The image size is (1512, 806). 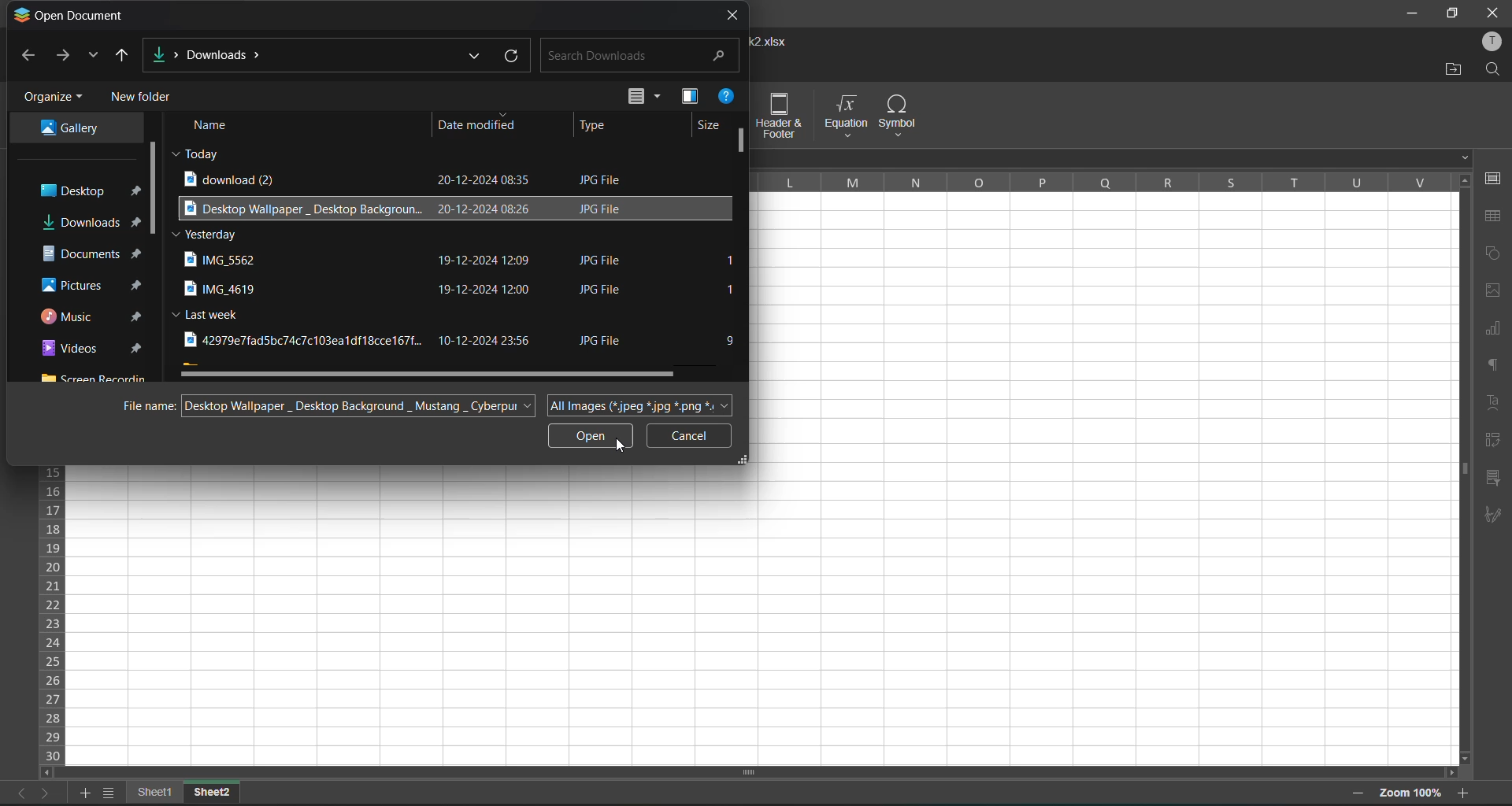 What do you see at coordinates (202, 153) in the screenshot?
I see `today` at bounding box center [202, 153].